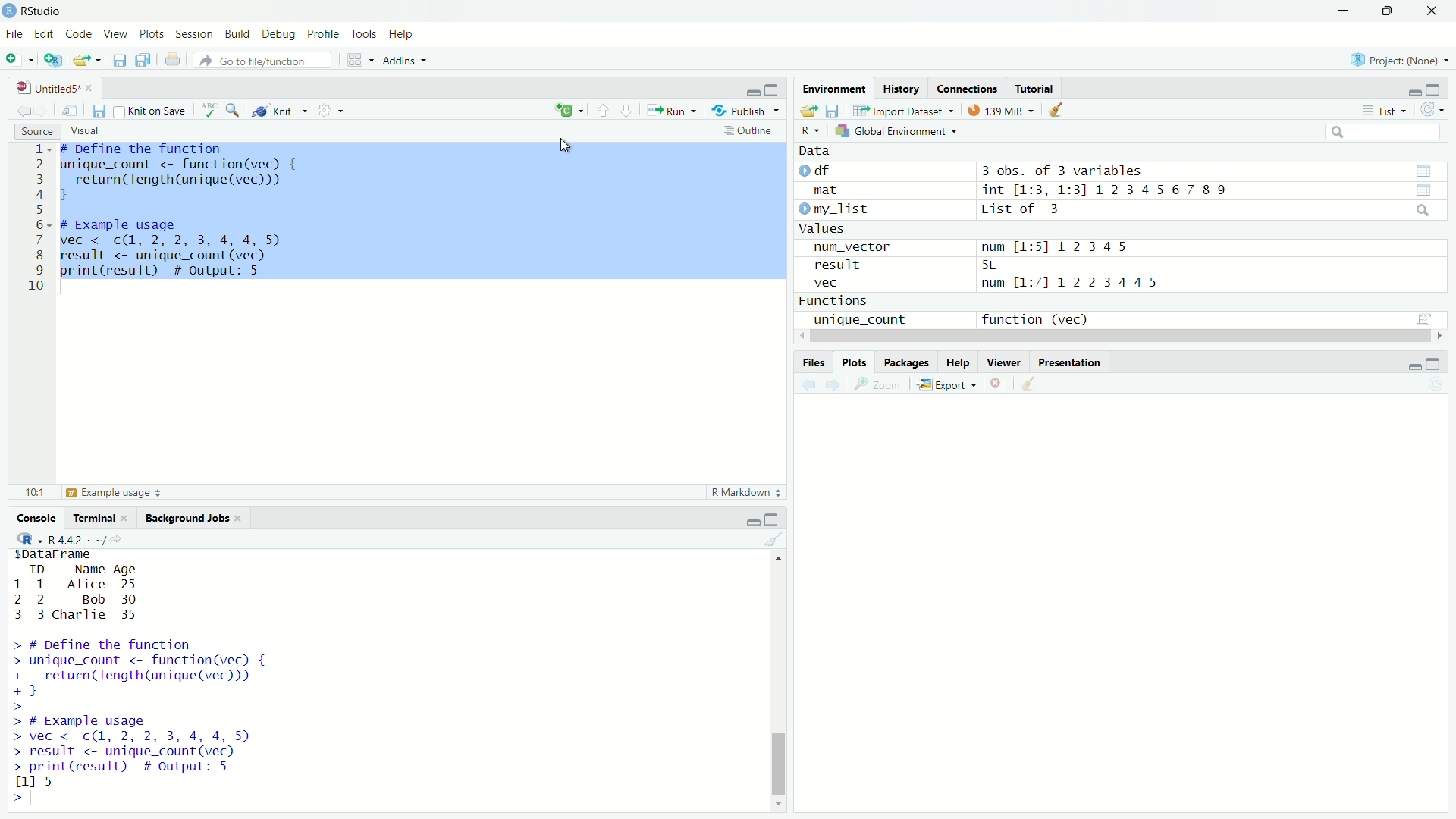  Describe the element at coordinates (195, 33) in the screenshot. I see `Session` at that location.